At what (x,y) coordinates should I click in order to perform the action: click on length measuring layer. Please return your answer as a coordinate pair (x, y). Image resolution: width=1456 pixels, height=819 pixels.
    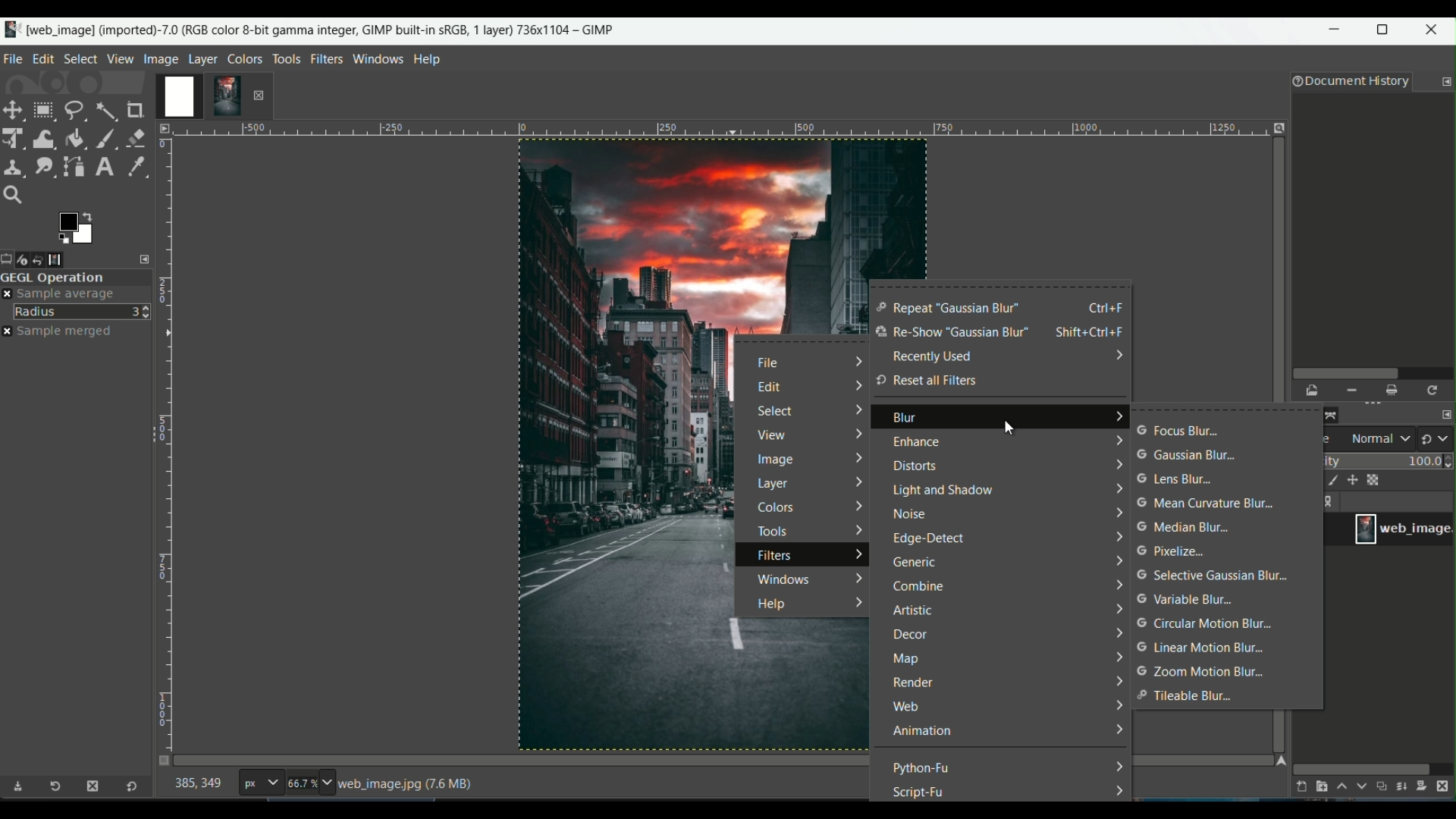
    Looking at the image, I should click on (165, 435).